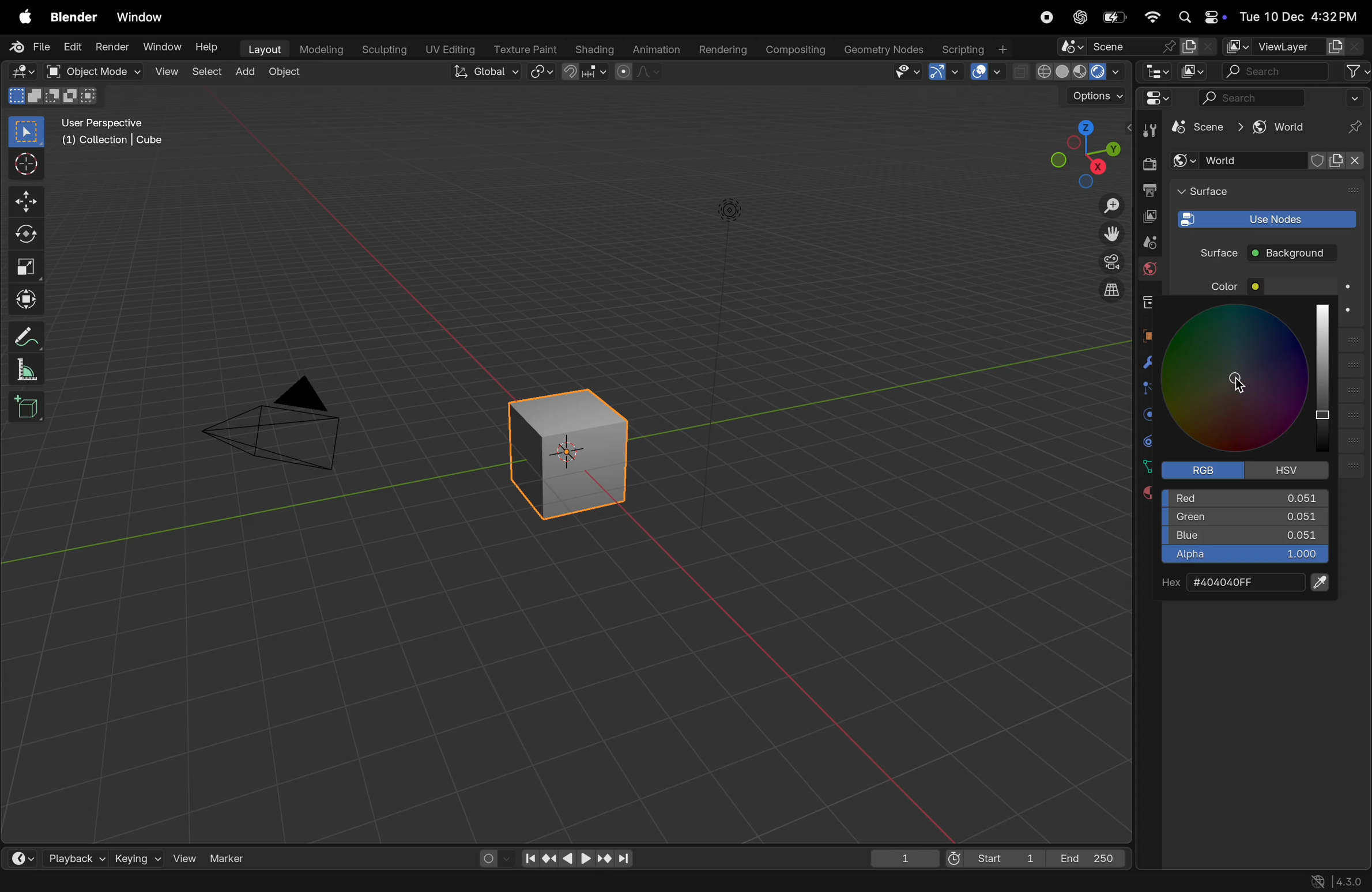 This screenshot has height=892, width=1372. I want to click on Modelling, so click(316, 50).